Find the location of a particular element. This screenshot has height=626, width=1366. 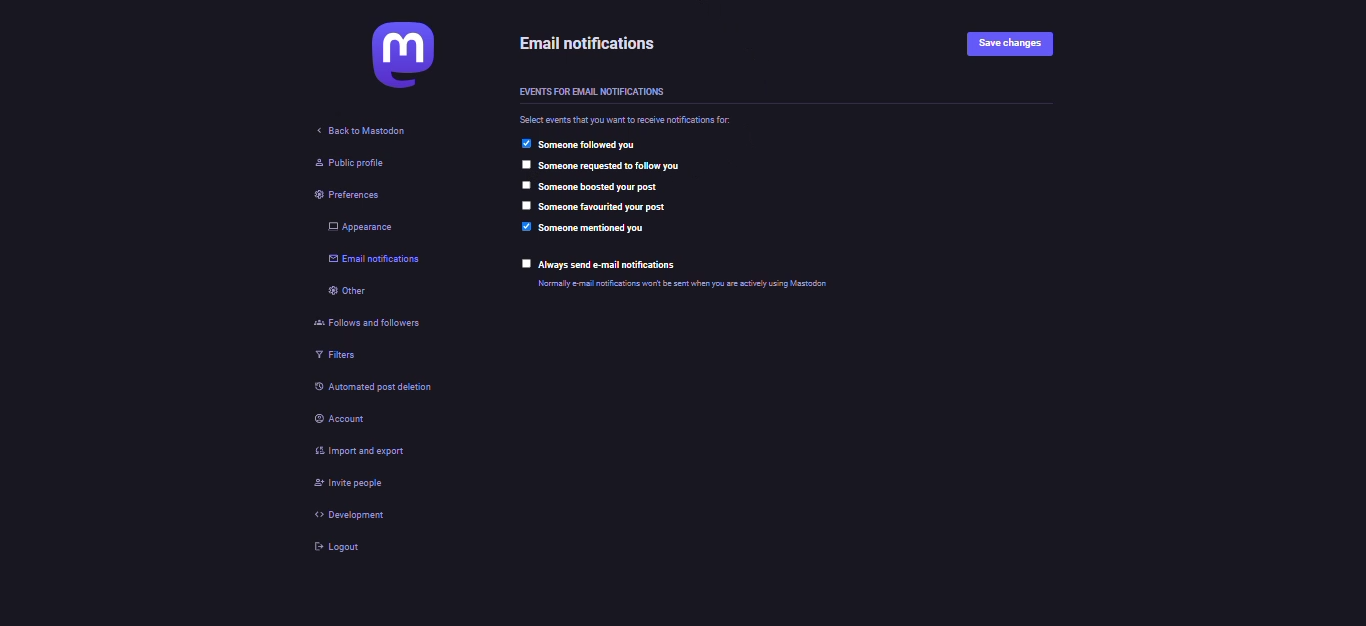

development is located at coordinates (337, 515).